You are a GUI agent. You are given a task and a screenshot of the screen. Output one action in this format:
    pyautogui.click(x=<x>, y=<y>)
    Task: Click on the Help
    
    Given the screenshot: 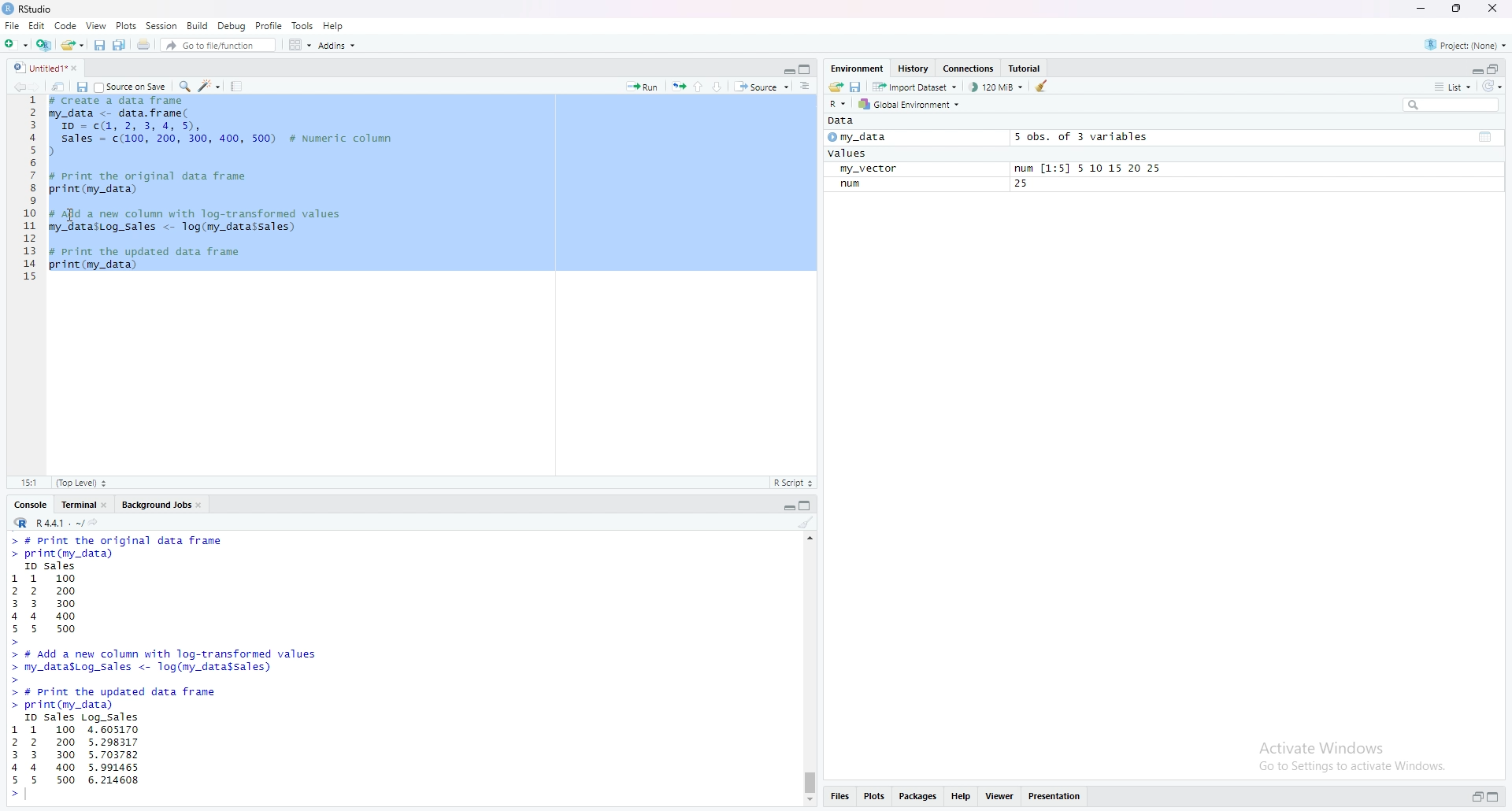 What is the action you would take?
    pyautogui.click(x=338, y=24)
    